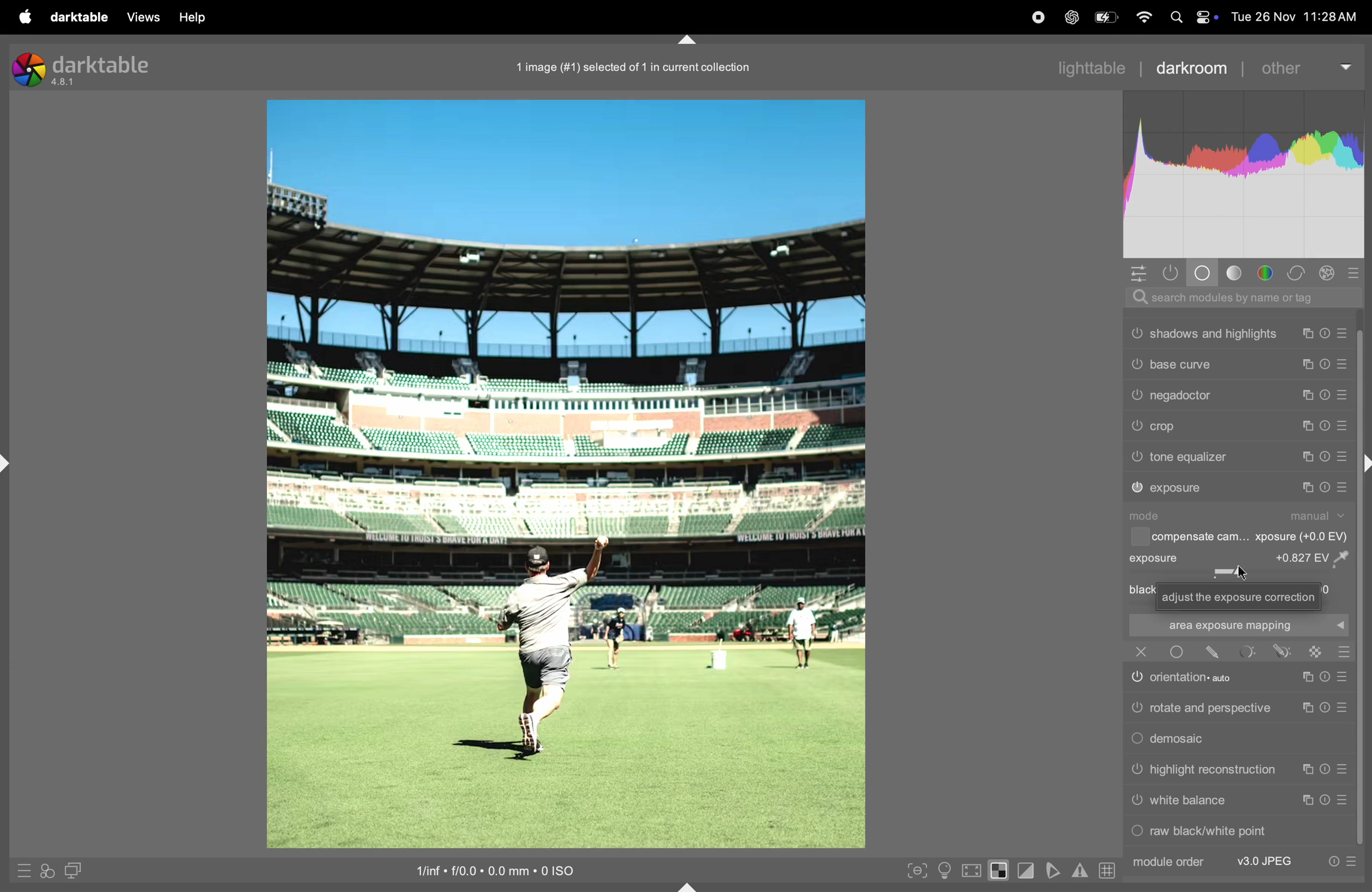 This screenshot has width=1372, height=892. Describe the element at coordinates (1080, 871) in the screenshot. I see `warn ` at that location.